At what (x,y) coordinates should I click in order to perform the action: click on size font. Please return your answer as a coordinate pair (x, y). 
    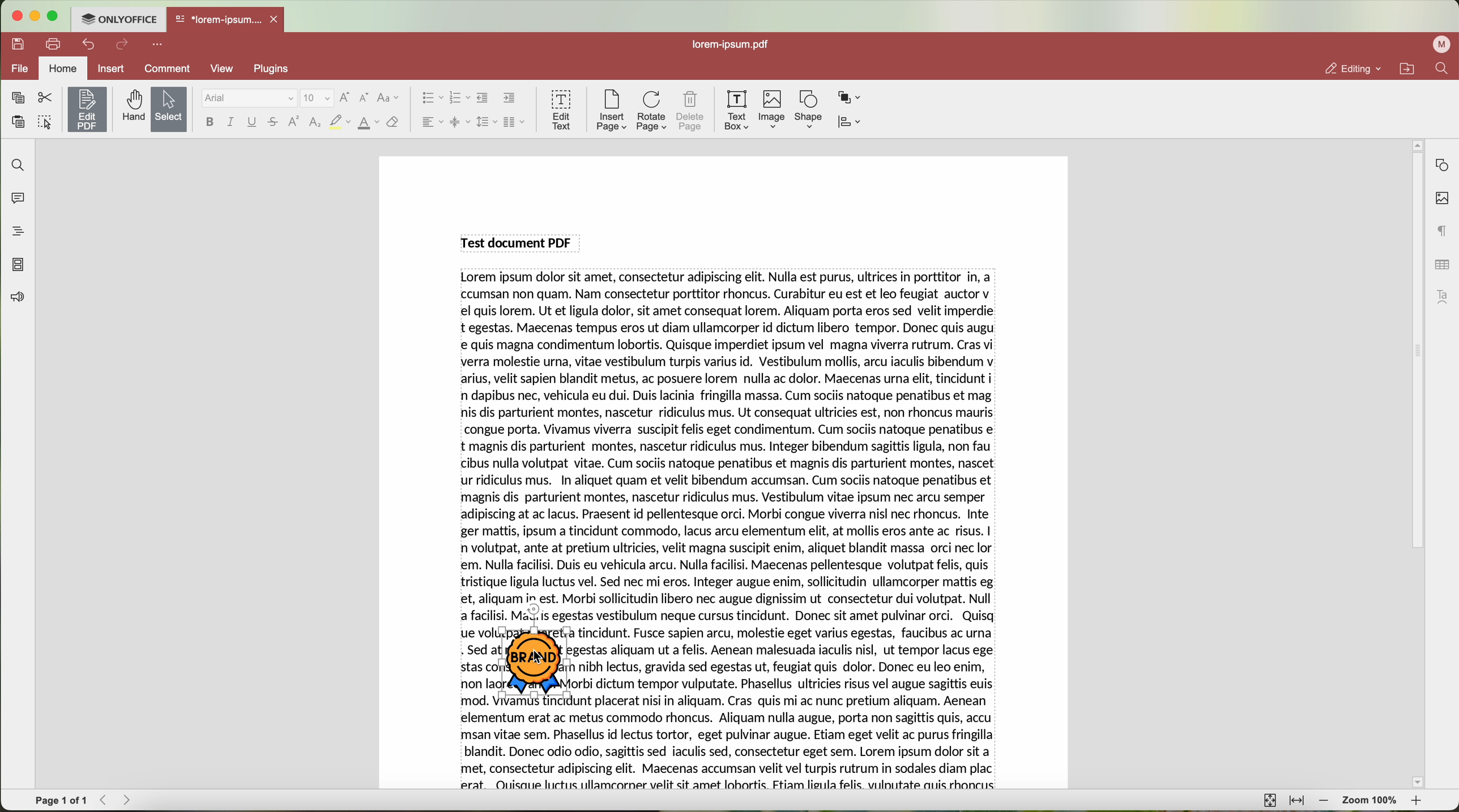
    Looking at the image, I should click on (317, 99).